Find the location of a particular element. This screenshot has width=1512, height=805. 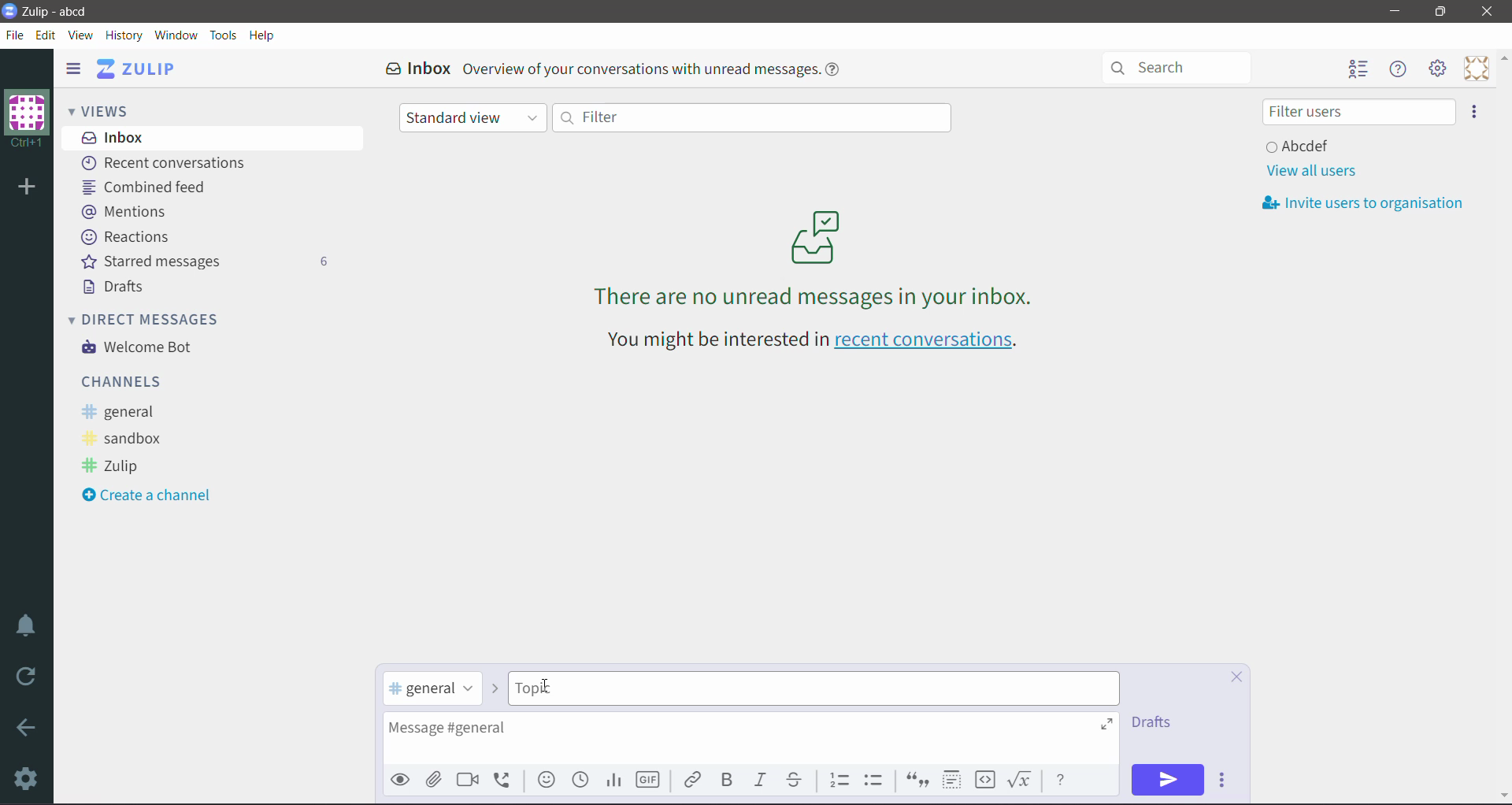

Spoiler is located at coordinates (951, 781).